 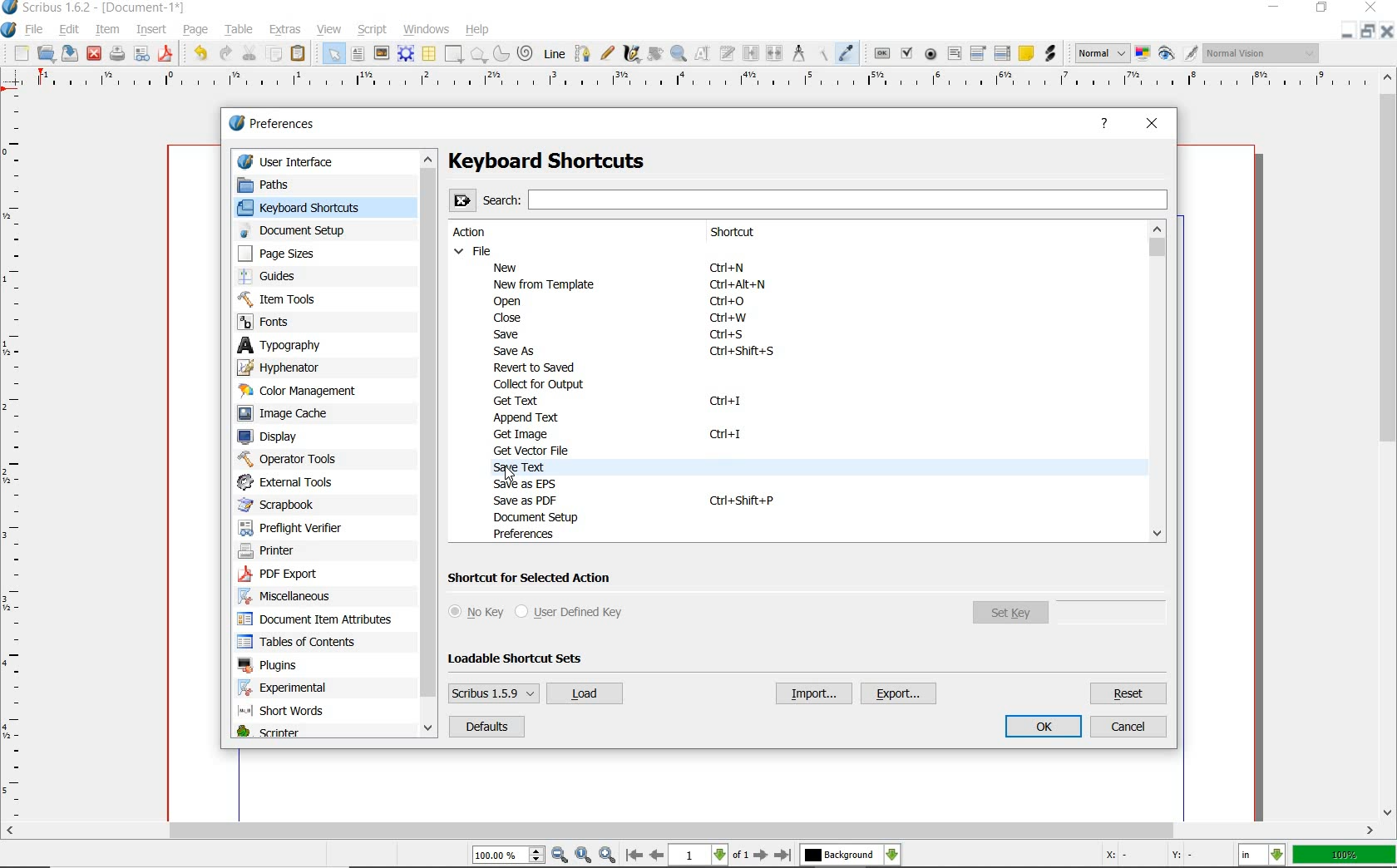 I want to click on new from template, so click(x=547, y=284).